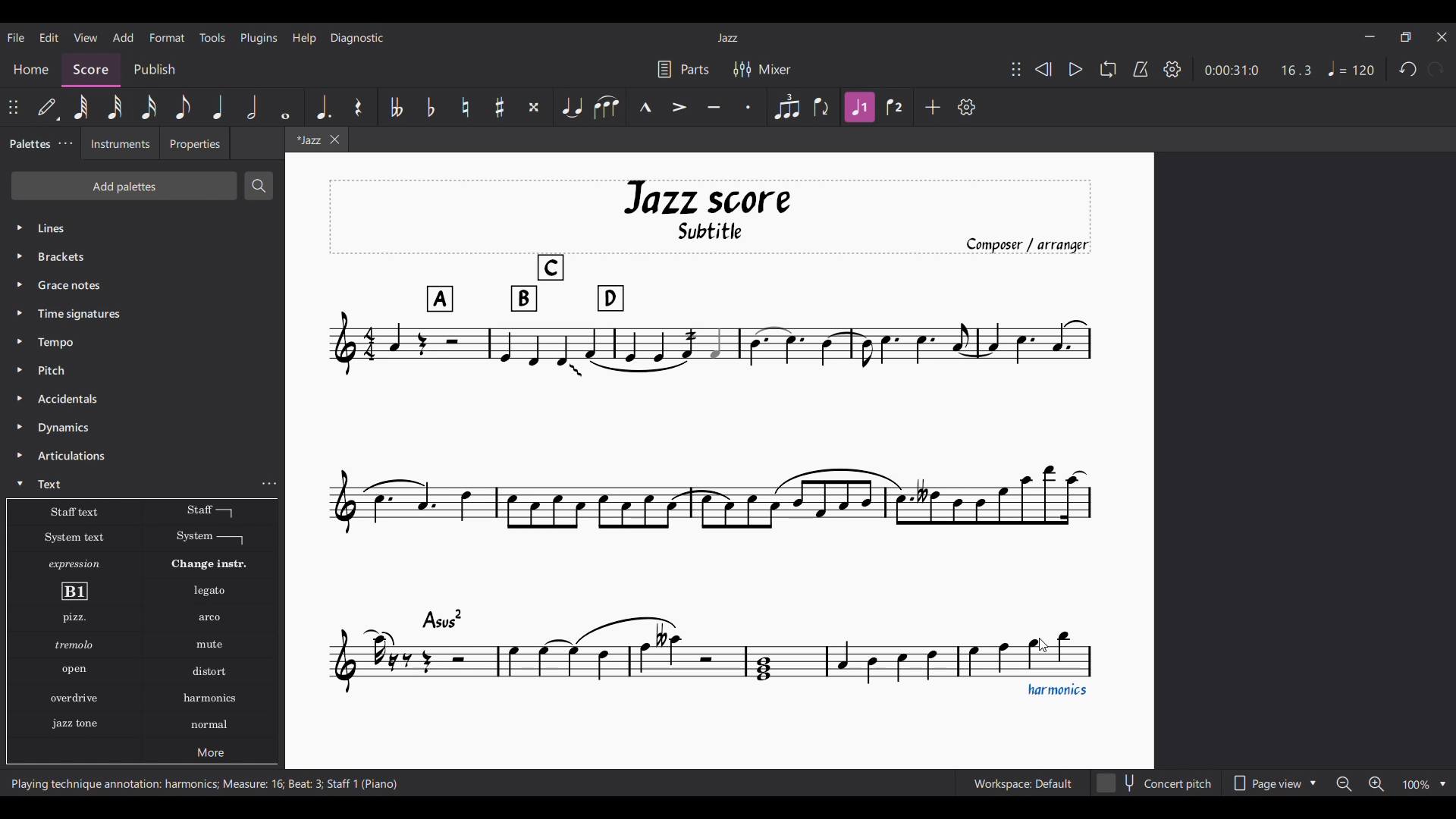 The height and width of the screenshot is (819, 1456). I want to click on Harmonics, so click(219, 701).